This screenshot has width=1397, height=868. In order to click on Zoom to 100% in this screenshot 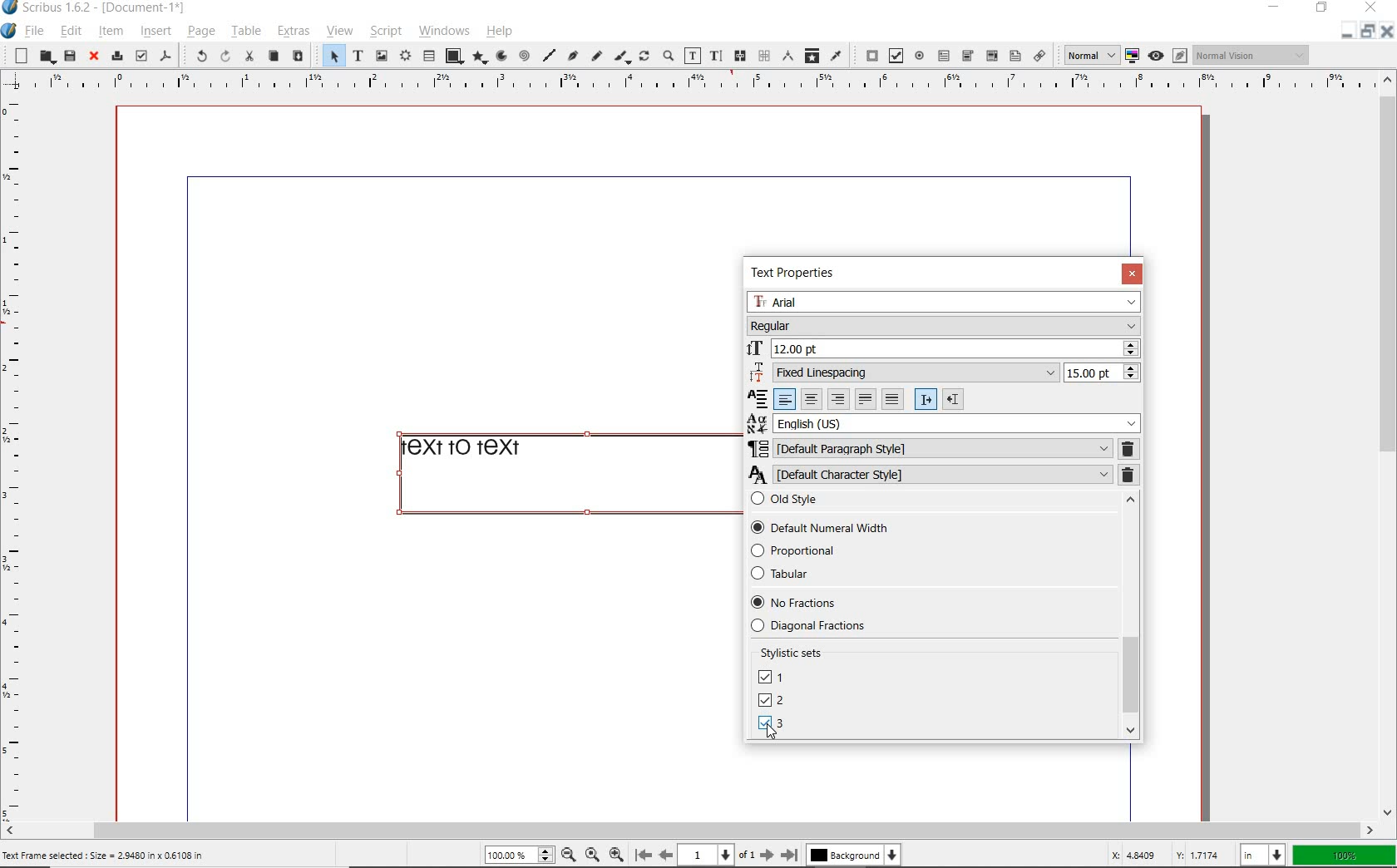, I will do `click(590, 854)`.